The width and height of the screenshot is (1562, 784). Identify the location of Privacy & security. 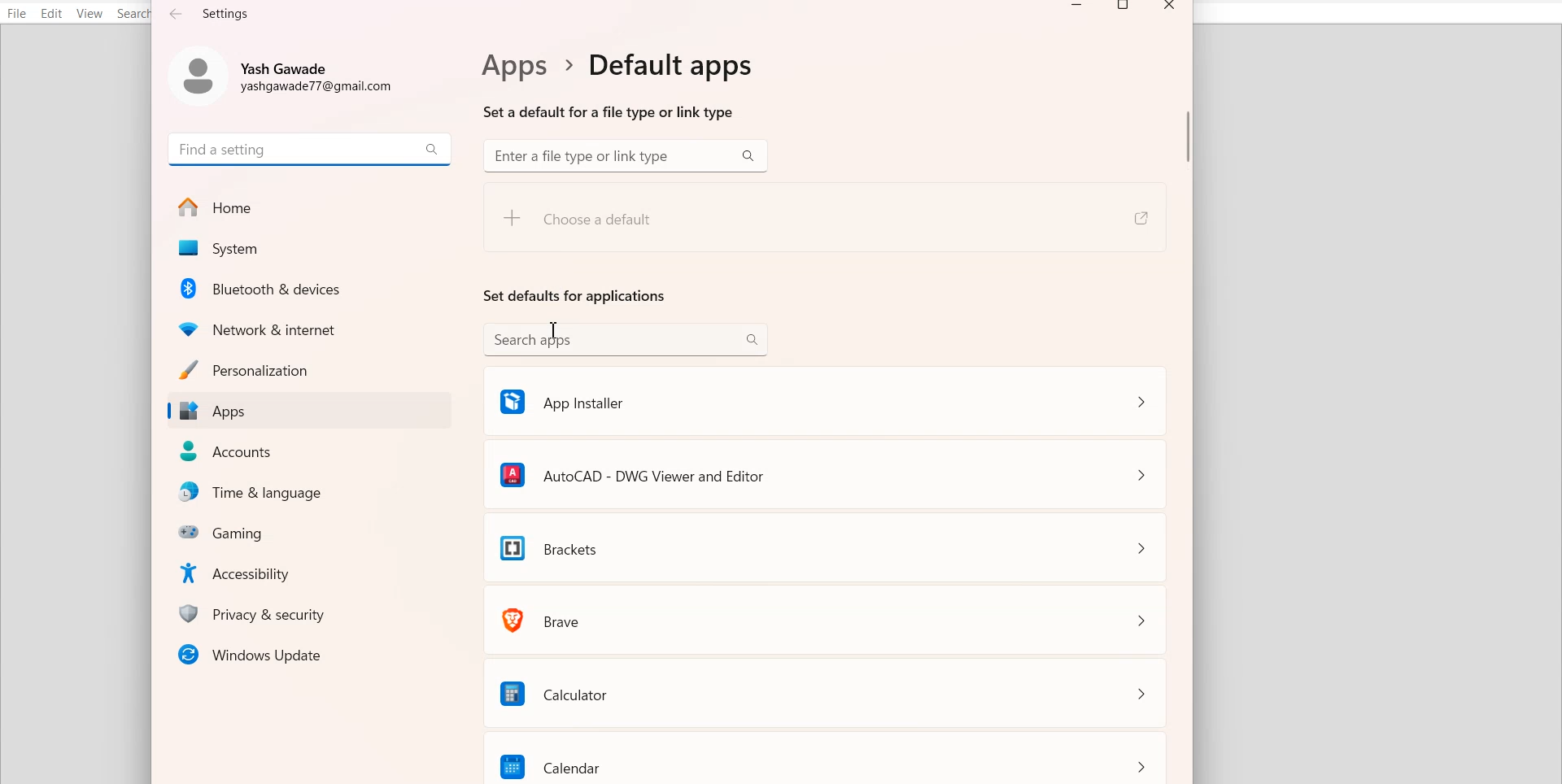
(314, 613).